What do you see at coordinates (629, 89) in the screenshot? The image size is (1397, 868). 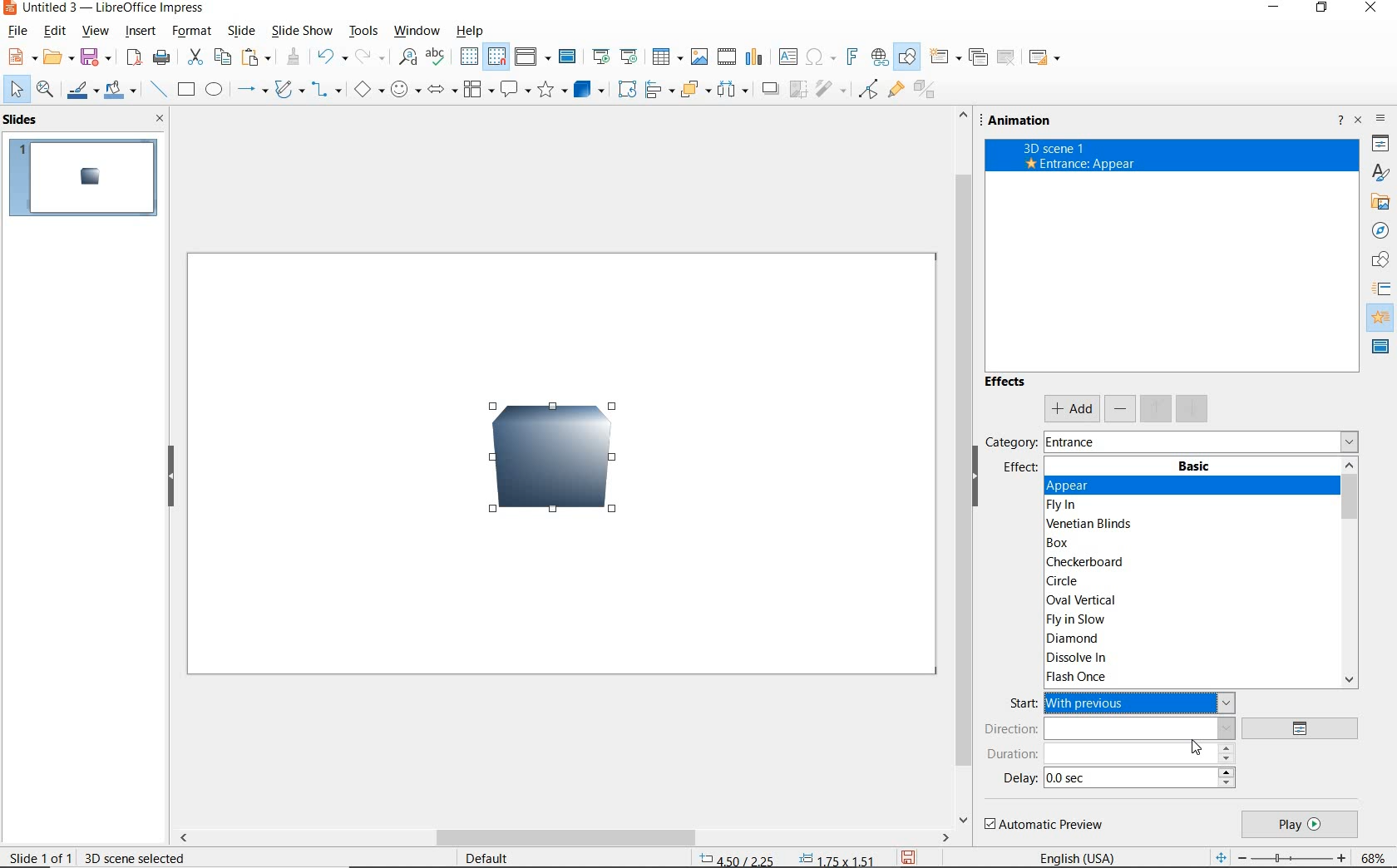 I see `rotate` at bounding box center [629, 89].